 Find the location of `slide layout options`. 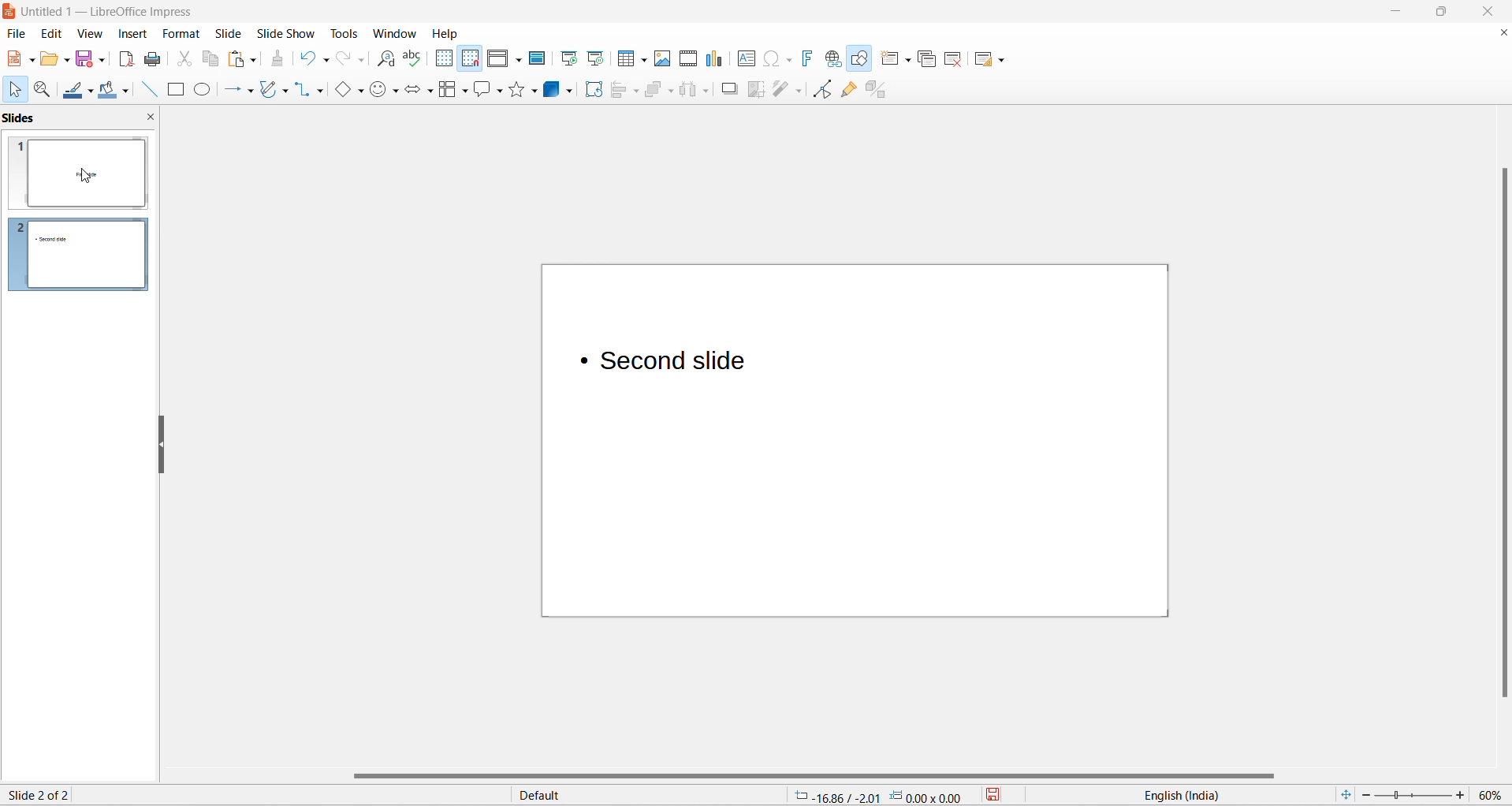

slide layout options is located at coordinates (1001, 58).